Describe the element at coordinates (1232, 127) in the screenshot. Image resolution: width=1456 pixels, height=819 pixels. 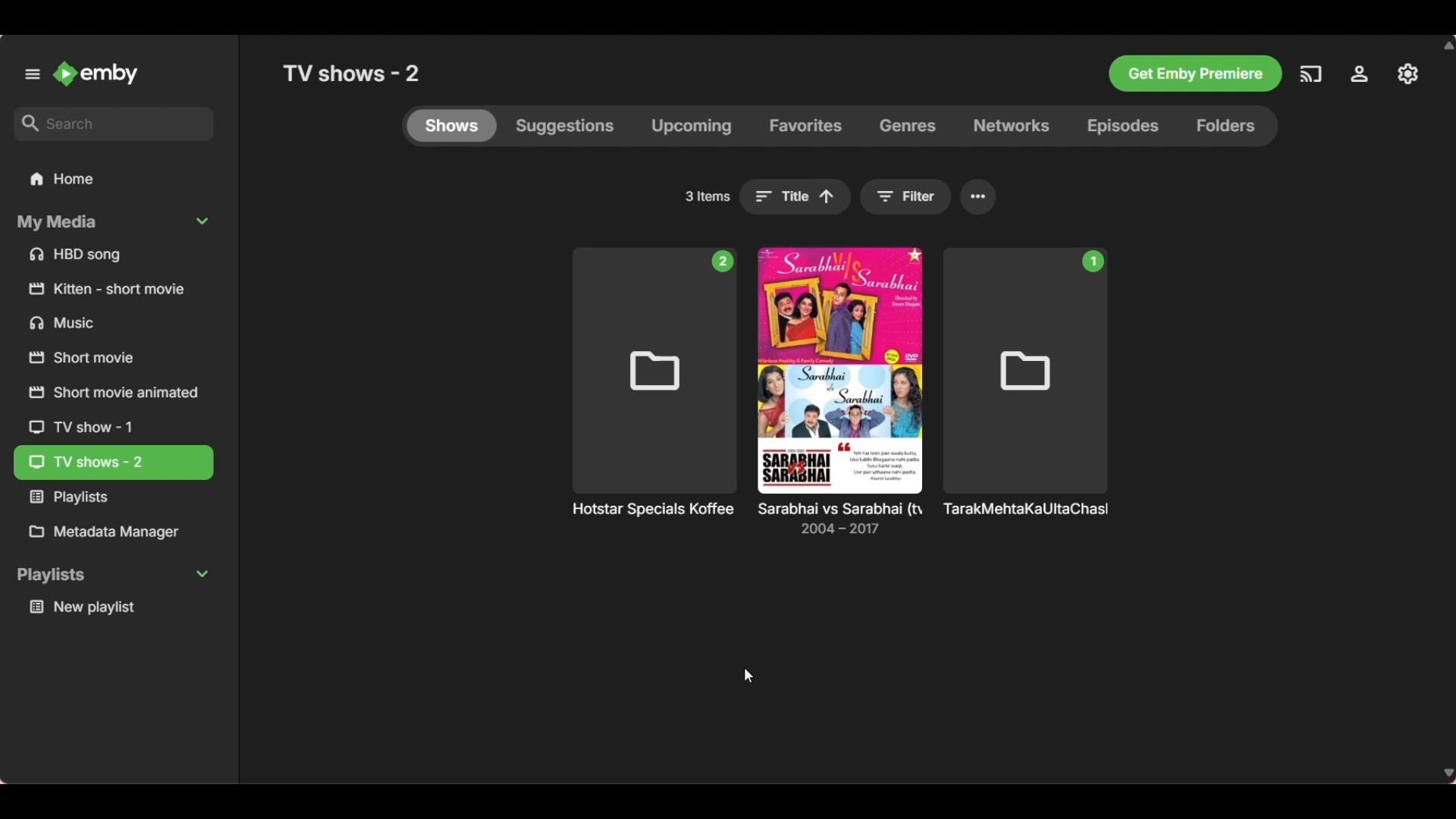
I see `Folders` at that location.